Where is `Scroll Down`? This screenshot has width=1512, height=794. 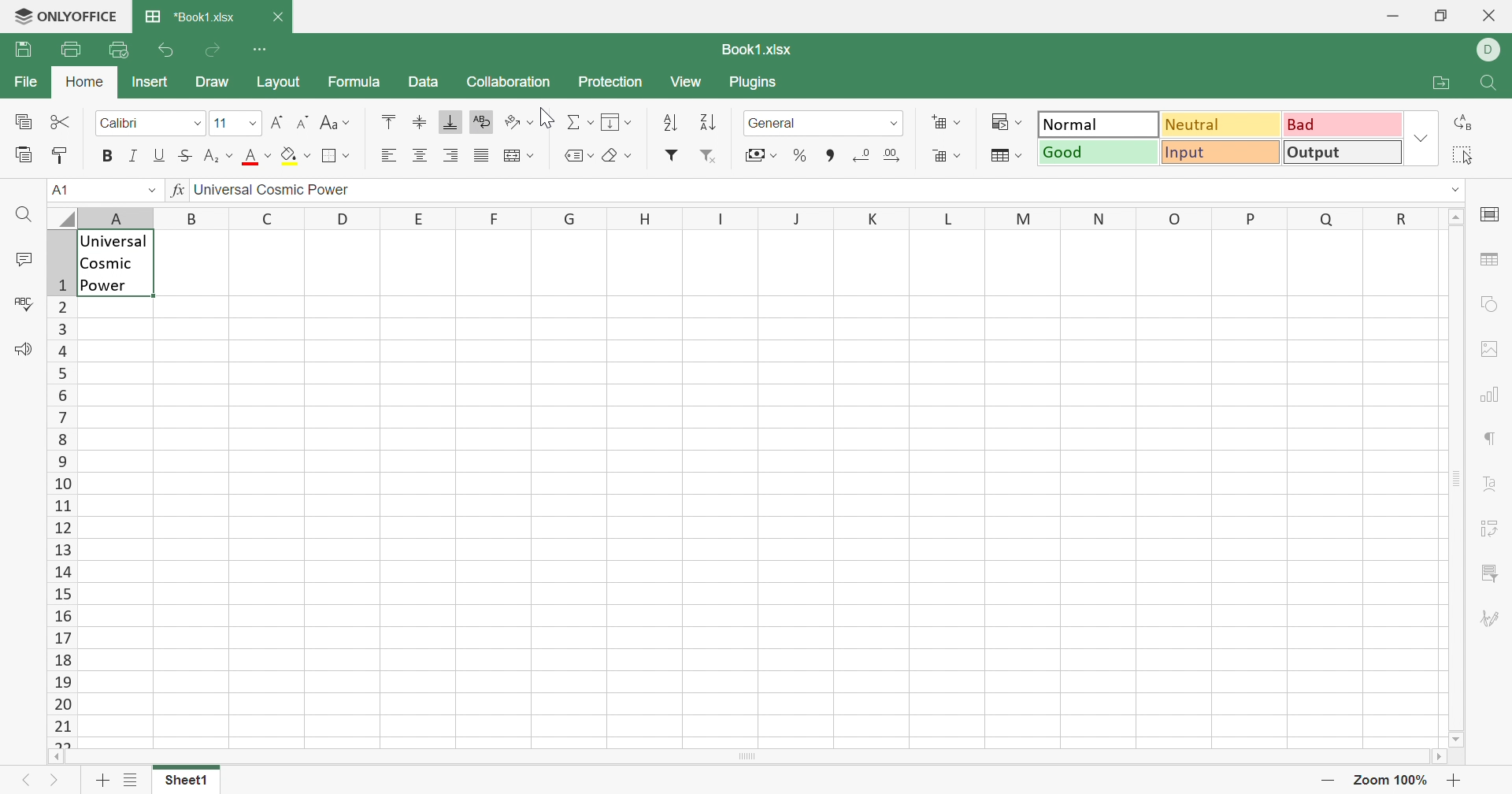 Scroll Down is located at coordinates (1456, 740).